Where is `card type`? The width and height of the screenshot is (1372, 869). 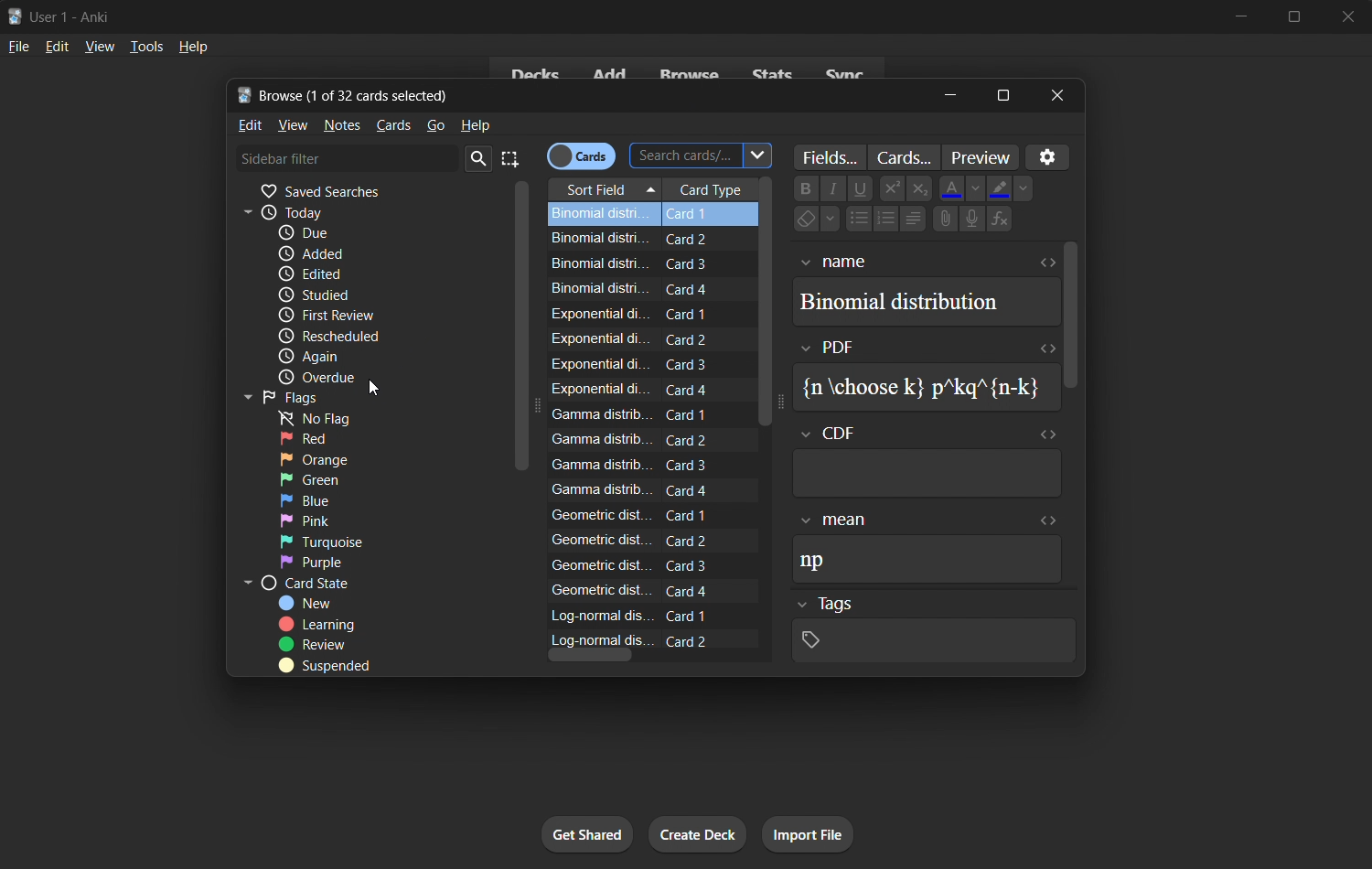 card type is located at coordinates (712, 188).